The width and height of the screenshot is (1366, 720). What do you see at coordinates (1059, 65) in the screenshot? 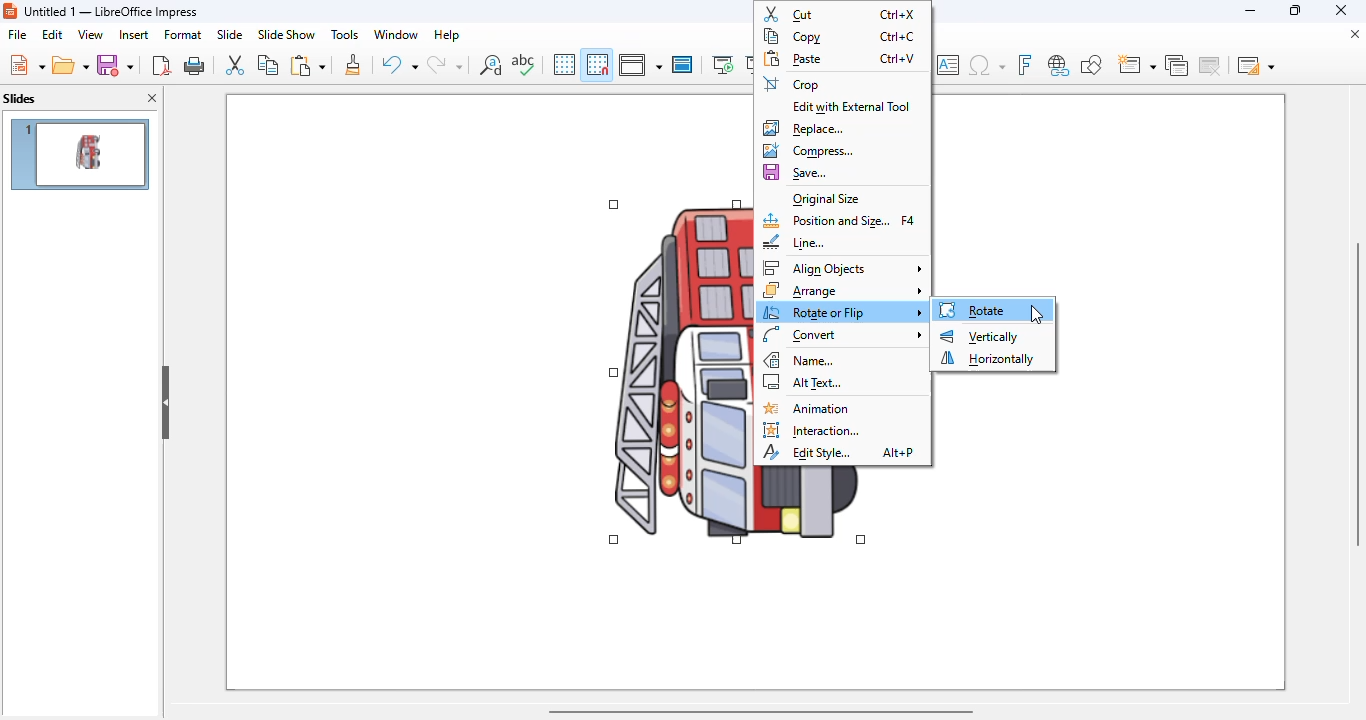
I see `insert hyperlink` at bounding box center [1059, 65].